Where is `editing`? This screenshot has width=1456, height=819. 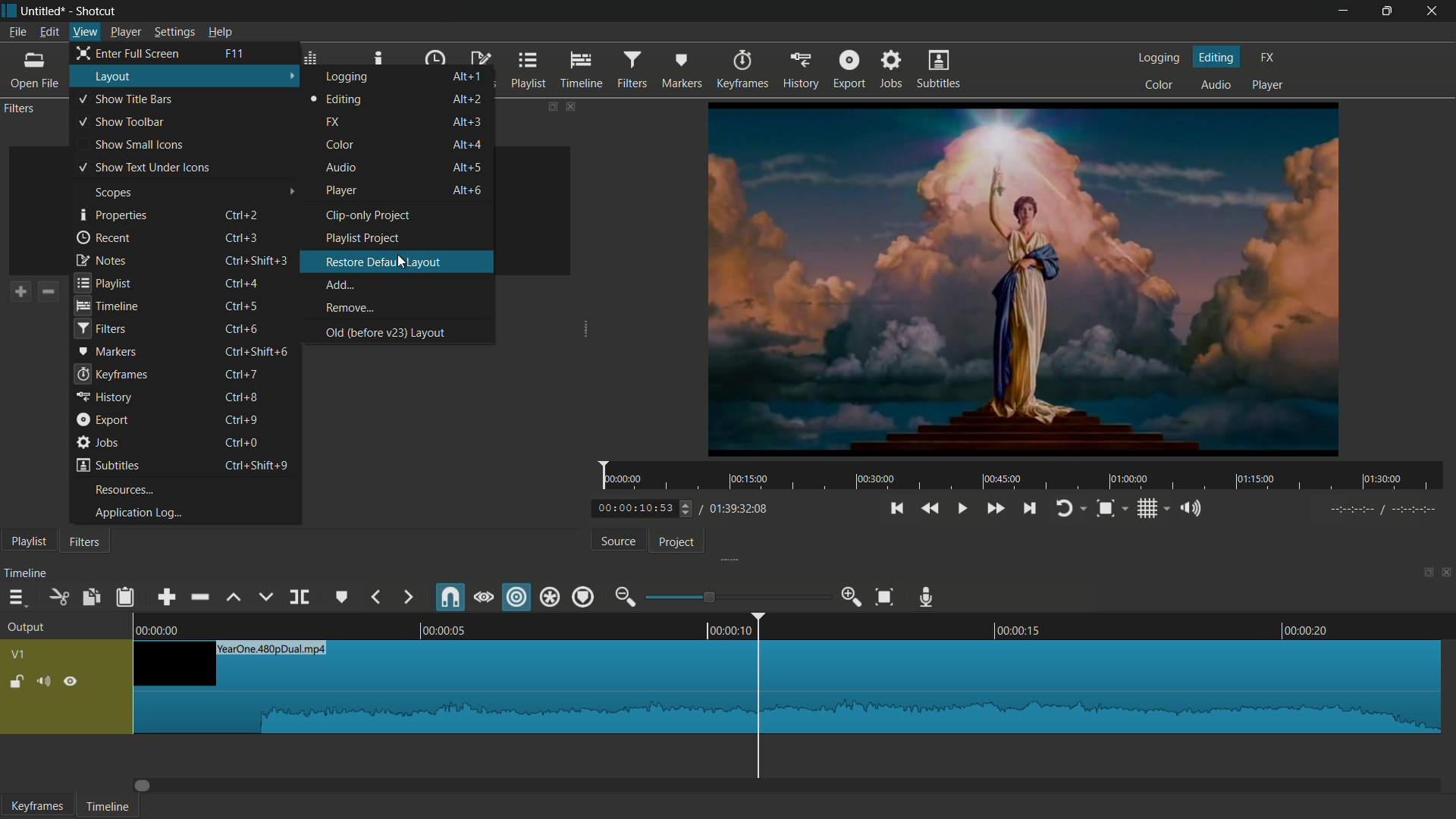 editing is located at coordinates (337, 99).